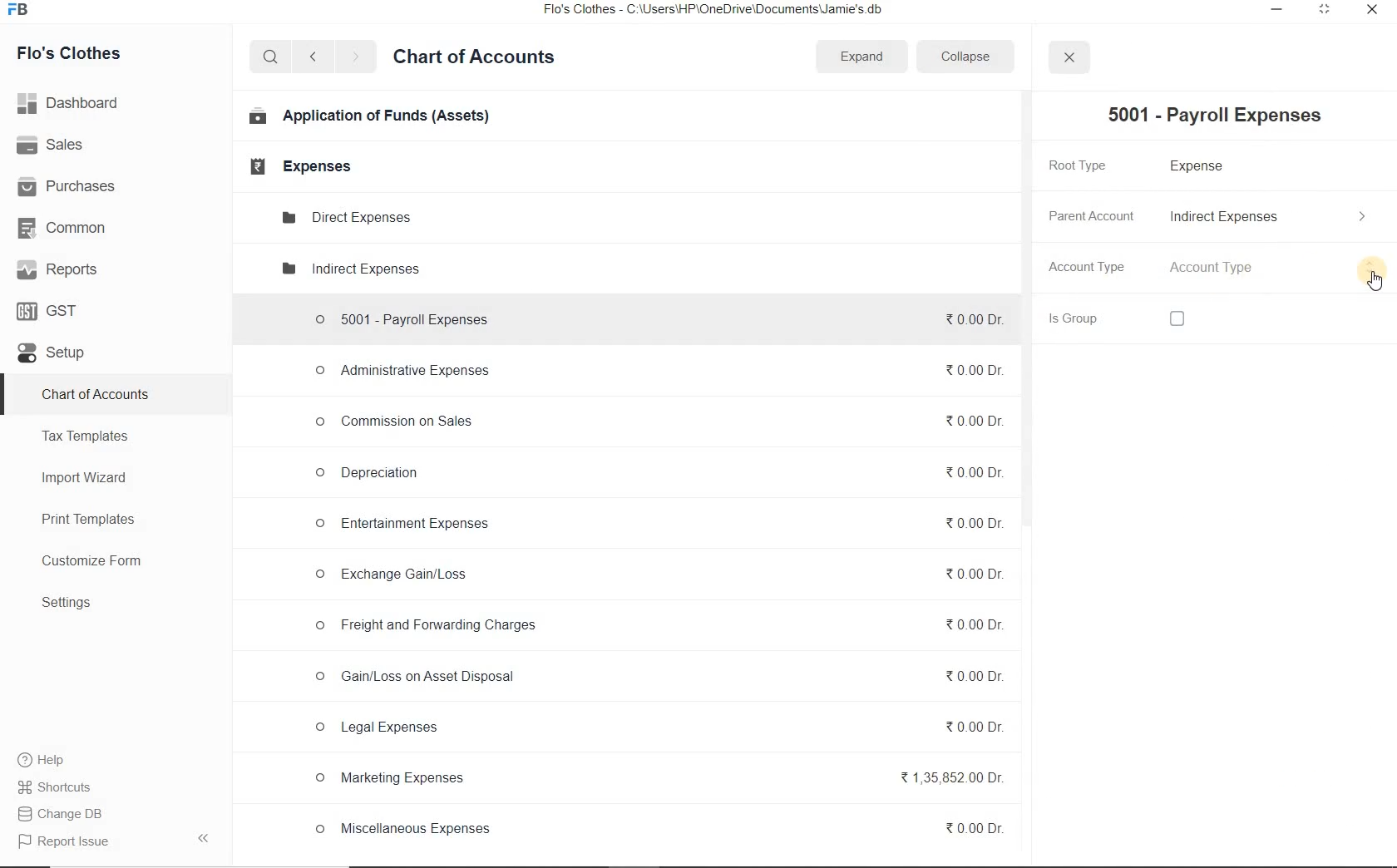 Image resolution: width=1397 pixels, height=868 pixels. I want to click on Chart of Accounts, so click(474, 59).